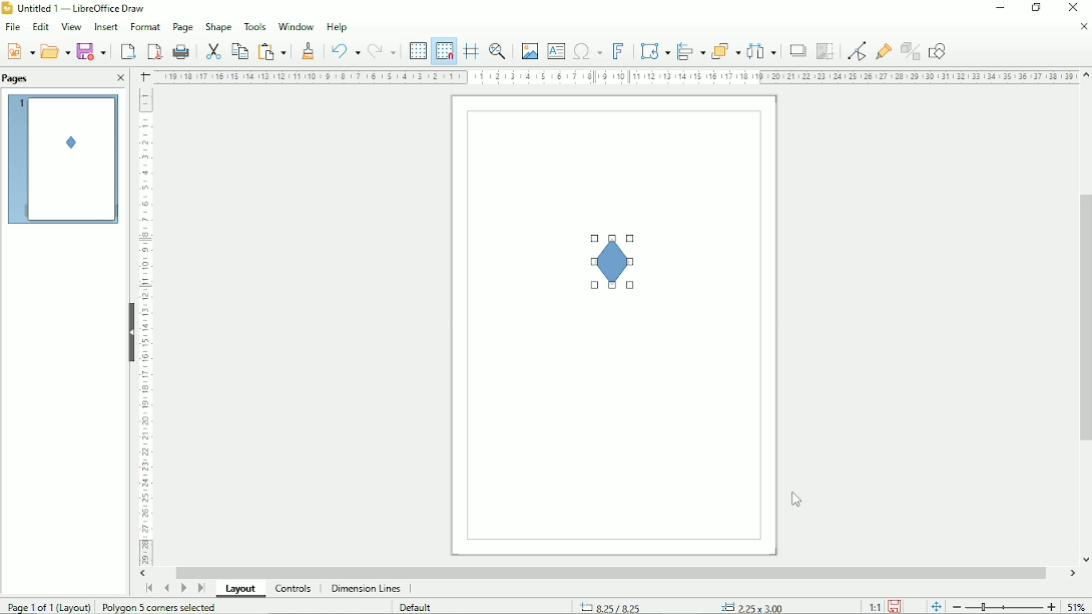  What do you see at coordinates (444, 50) in the screenshot?
I see `Snap to grid` at bounding box center [444, 50].